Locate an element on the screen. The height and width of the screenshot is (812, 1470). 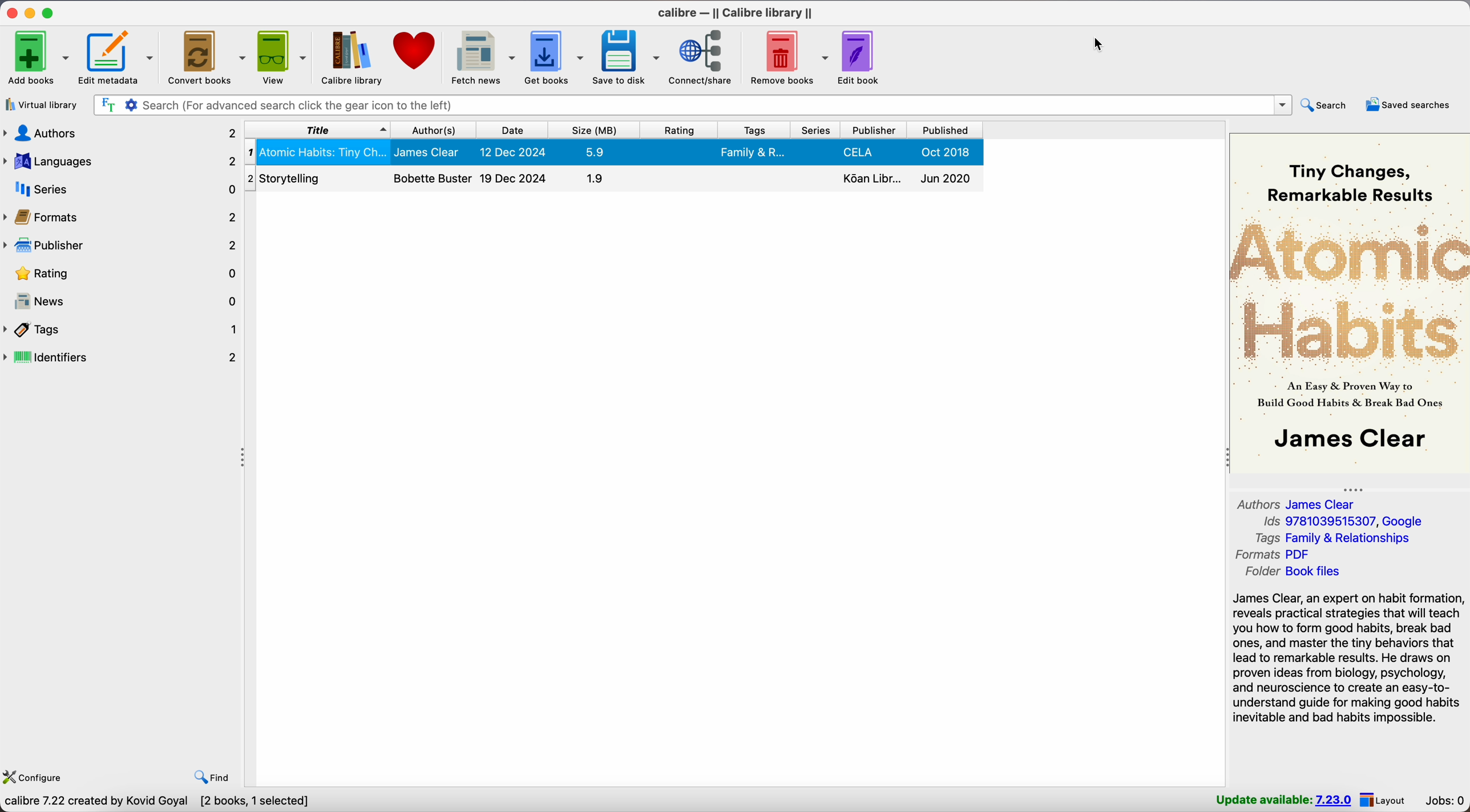
formats PDF is located at coordinates (1274, 555).